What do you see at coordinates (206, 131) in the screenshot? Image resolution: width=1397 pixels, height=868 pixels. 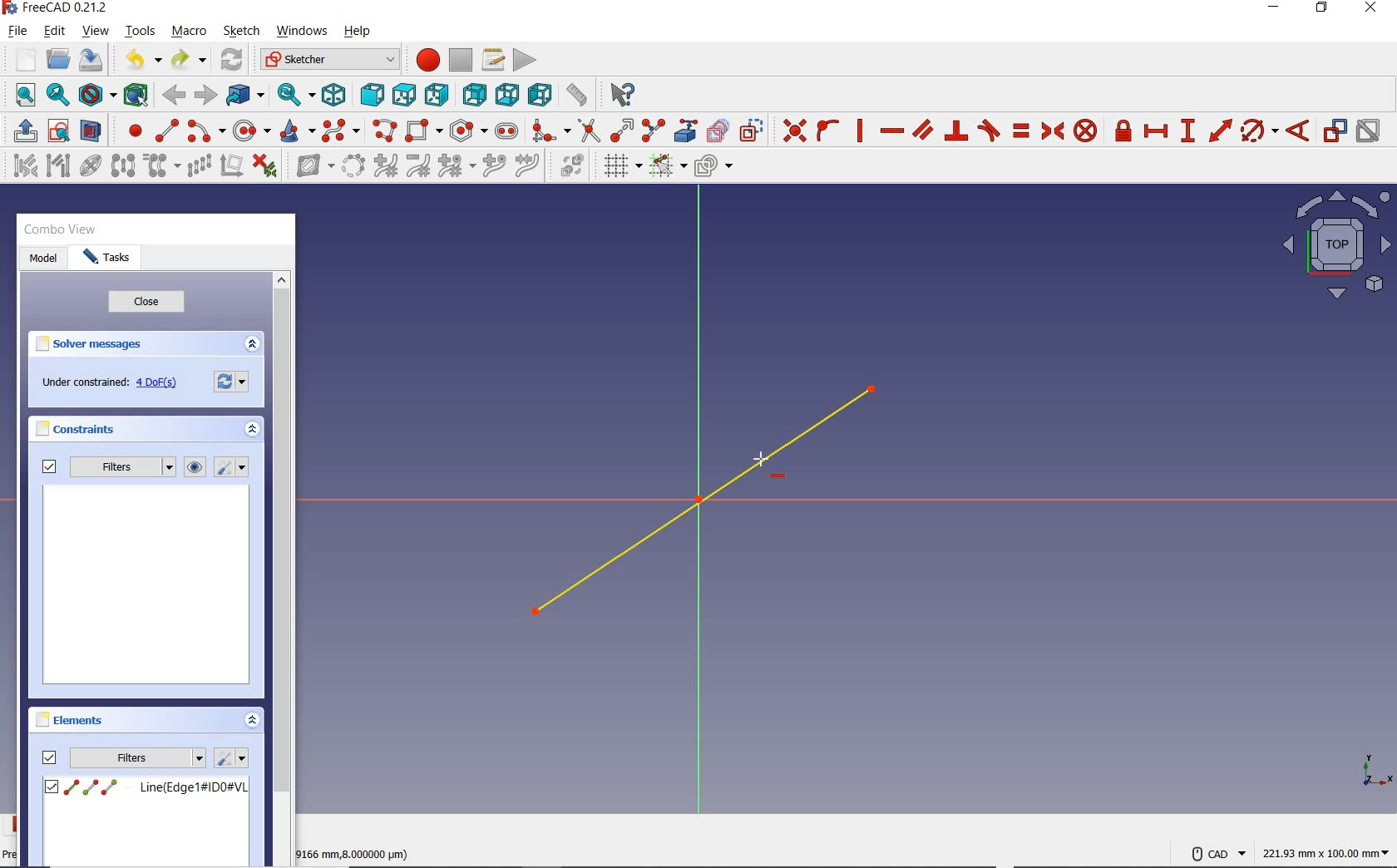 I see `CREATE ARC` at bounding box center [206, 131].